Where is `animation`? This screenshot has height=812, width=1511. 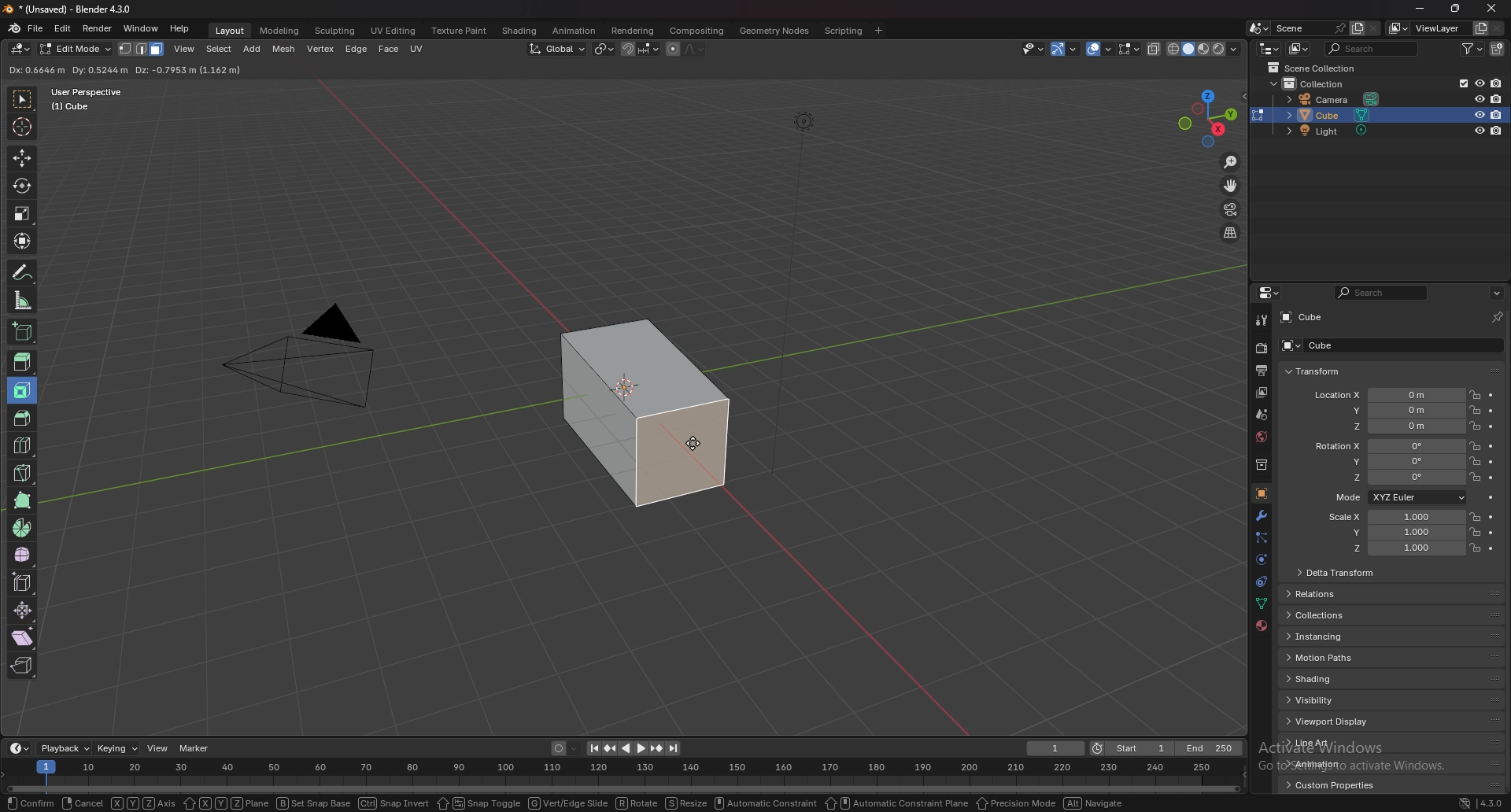
animation is located at coordinates (574, 31).